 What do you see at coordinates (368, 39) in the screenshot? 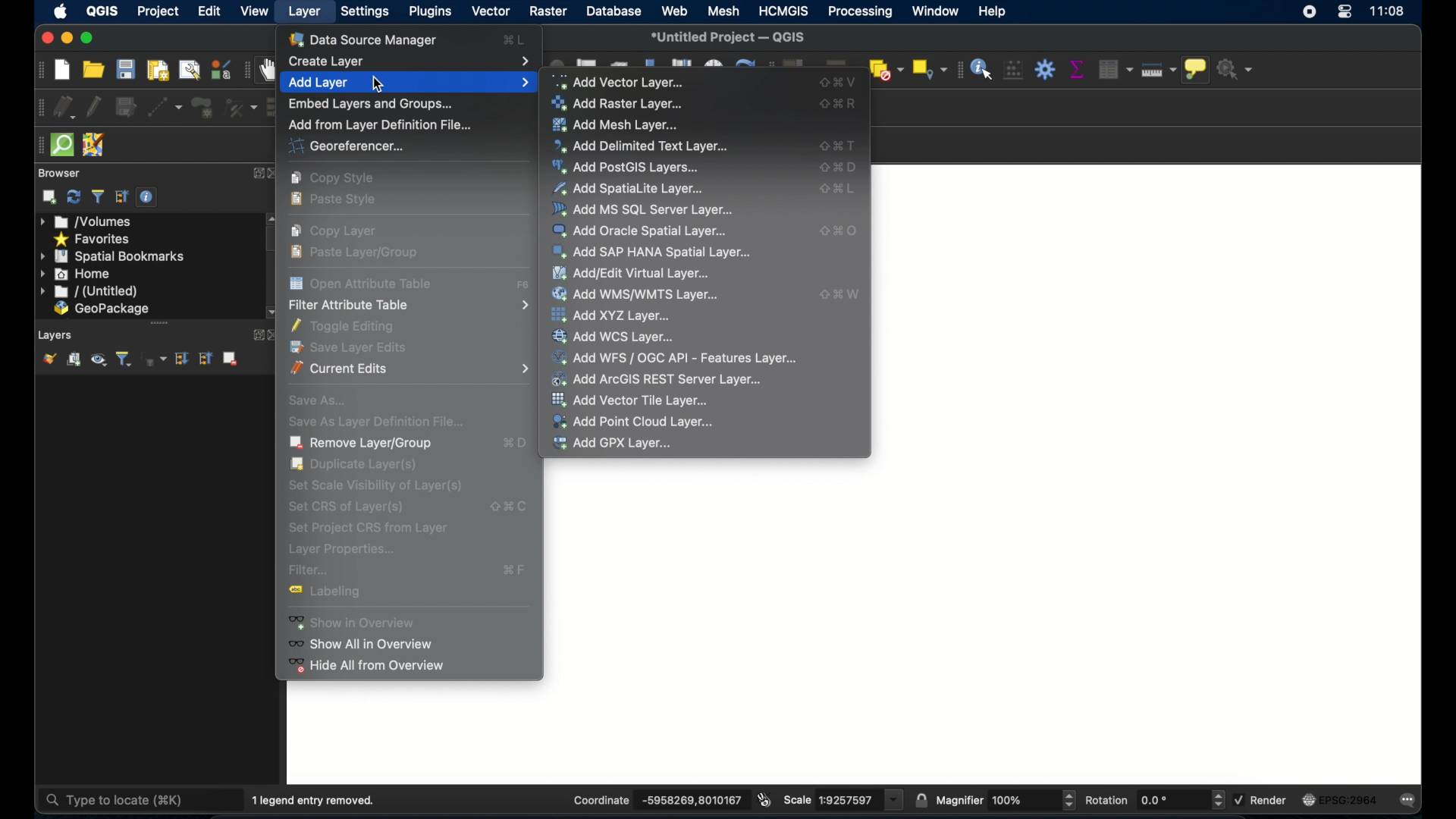
I see `data source manager` at bounding box center [368, 39].